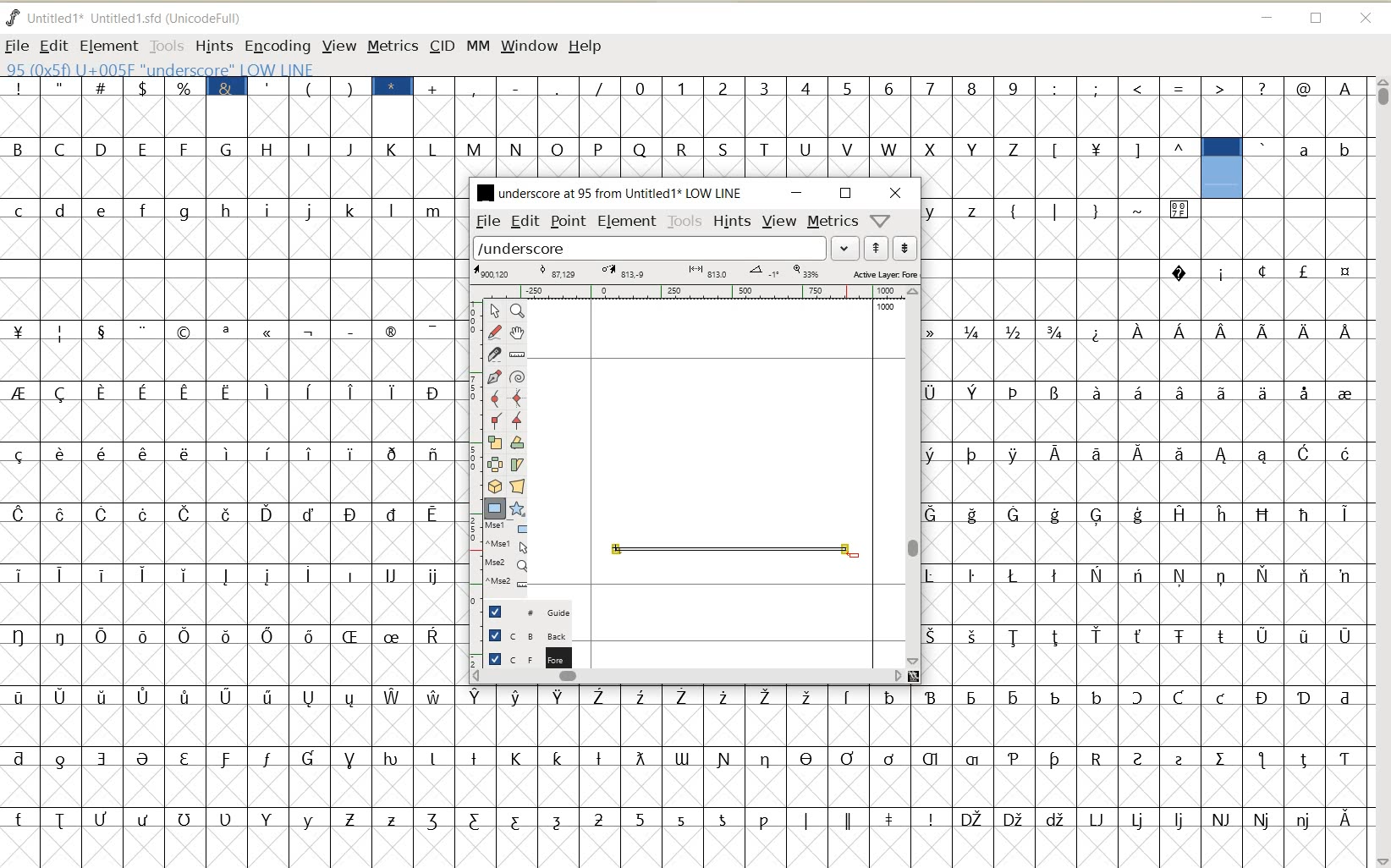  What do you see at coordinates (779, 219) in the screenshot?
I see `VIEW` at bounding box center [779, 219].